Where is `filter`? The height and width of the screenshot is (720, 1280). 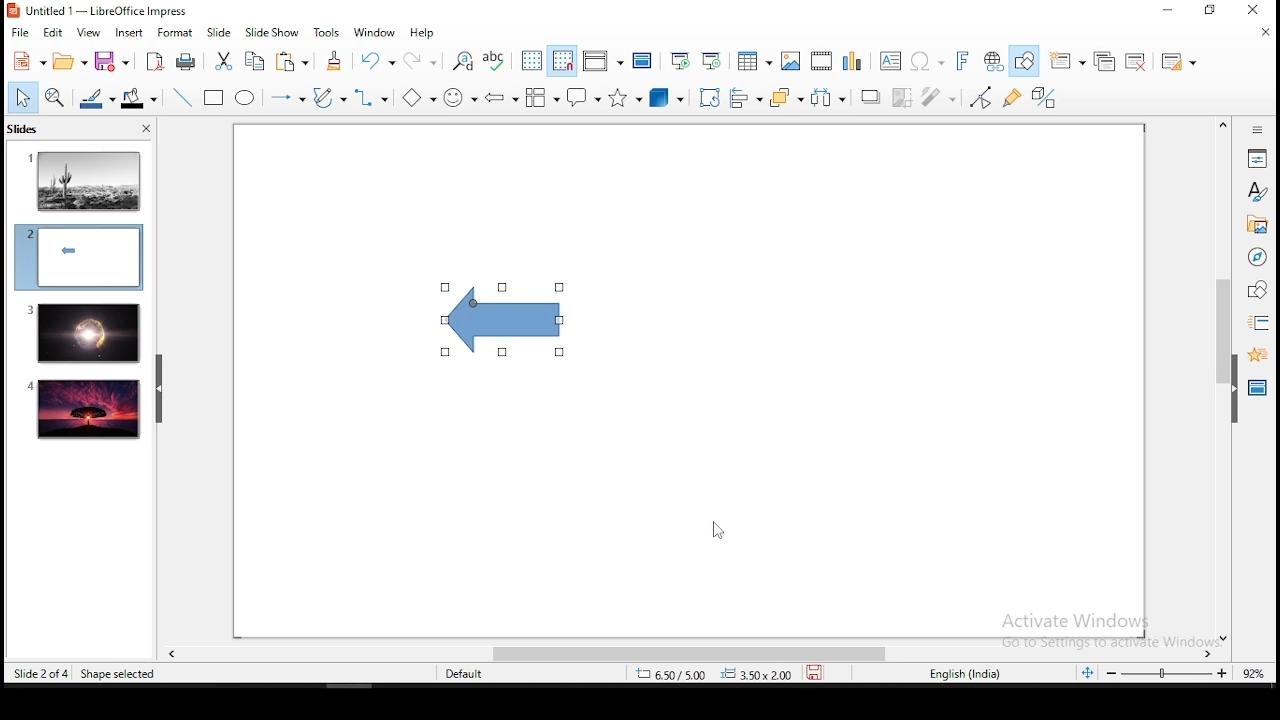
filter is located at coordinates (935, 97).